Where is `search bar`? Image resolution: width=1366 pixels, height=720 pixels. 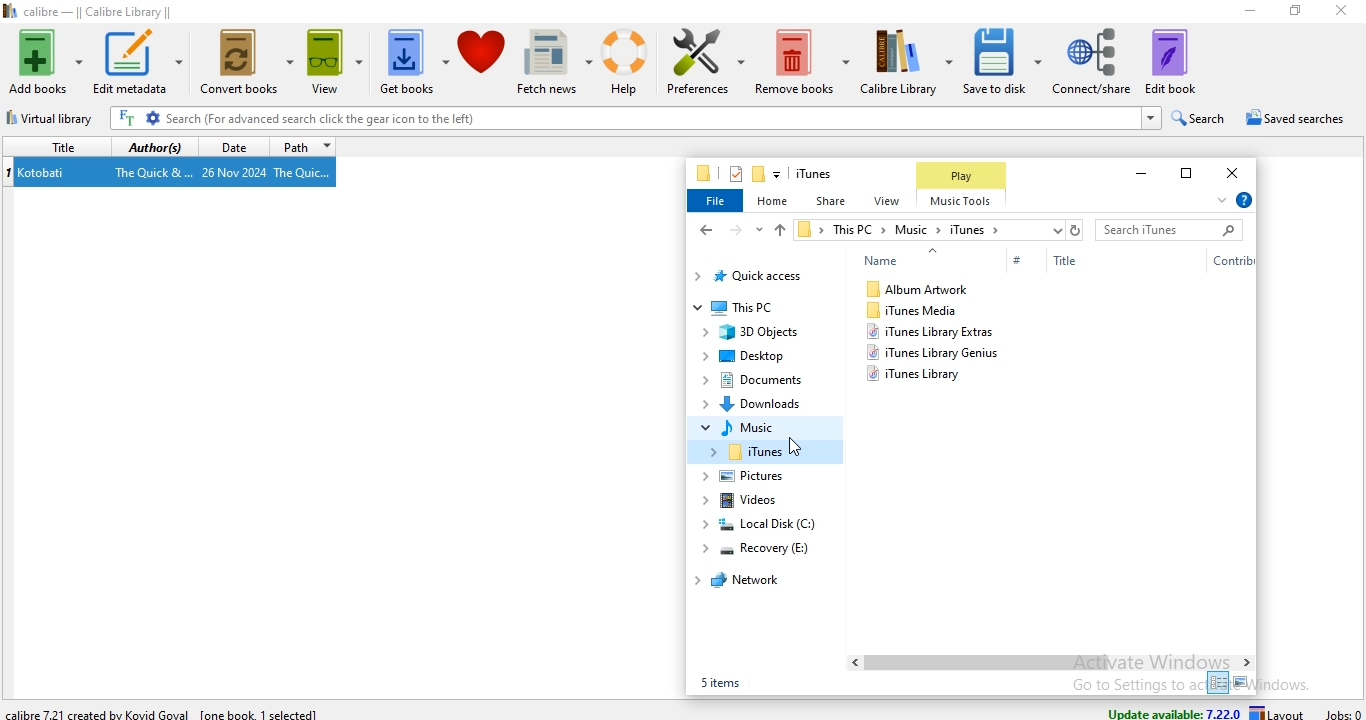 search bar is located at coordinates (1169, 228).